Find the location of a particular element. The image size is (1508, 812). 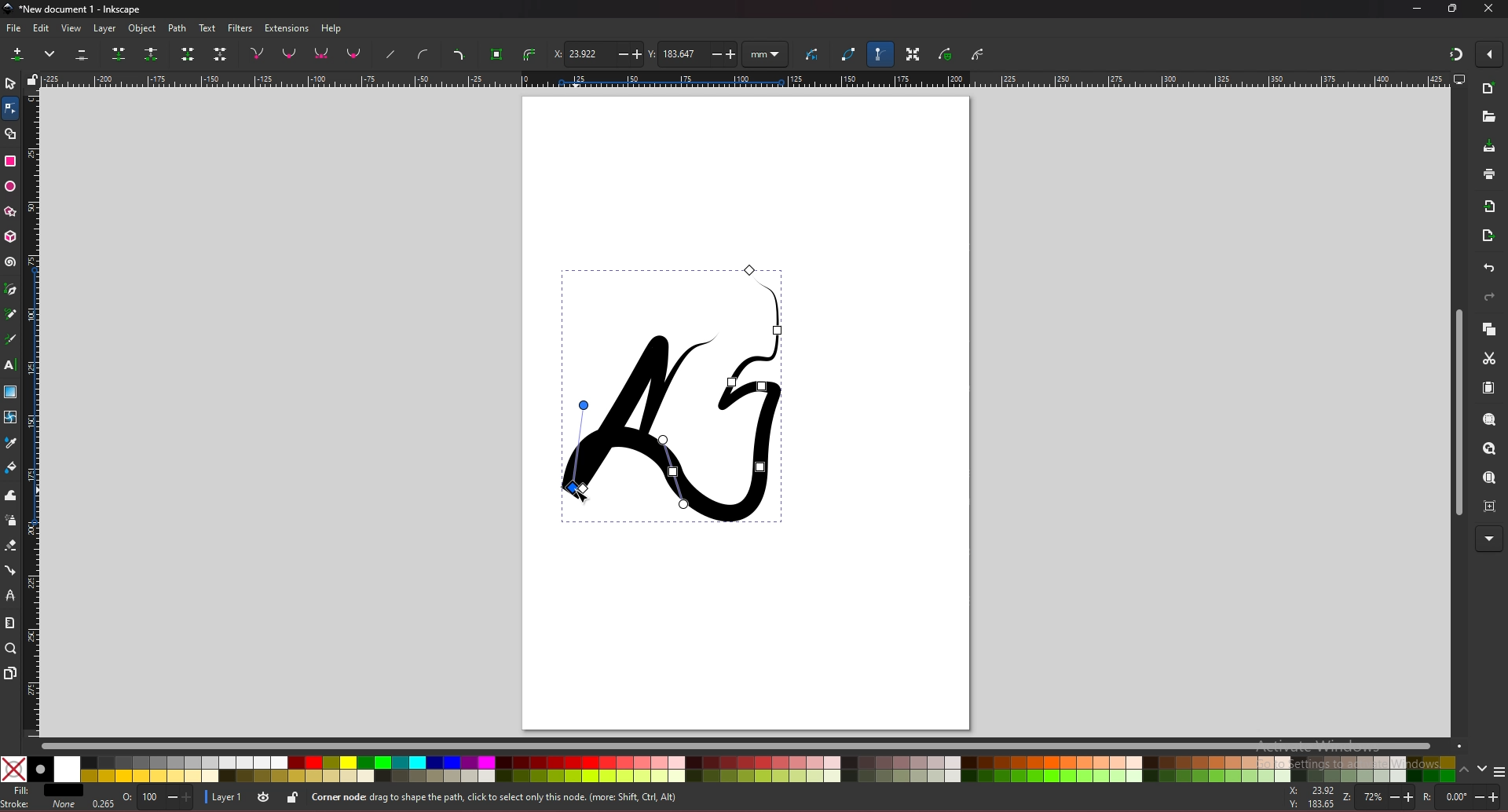

text is located at coordinates (10, 364).